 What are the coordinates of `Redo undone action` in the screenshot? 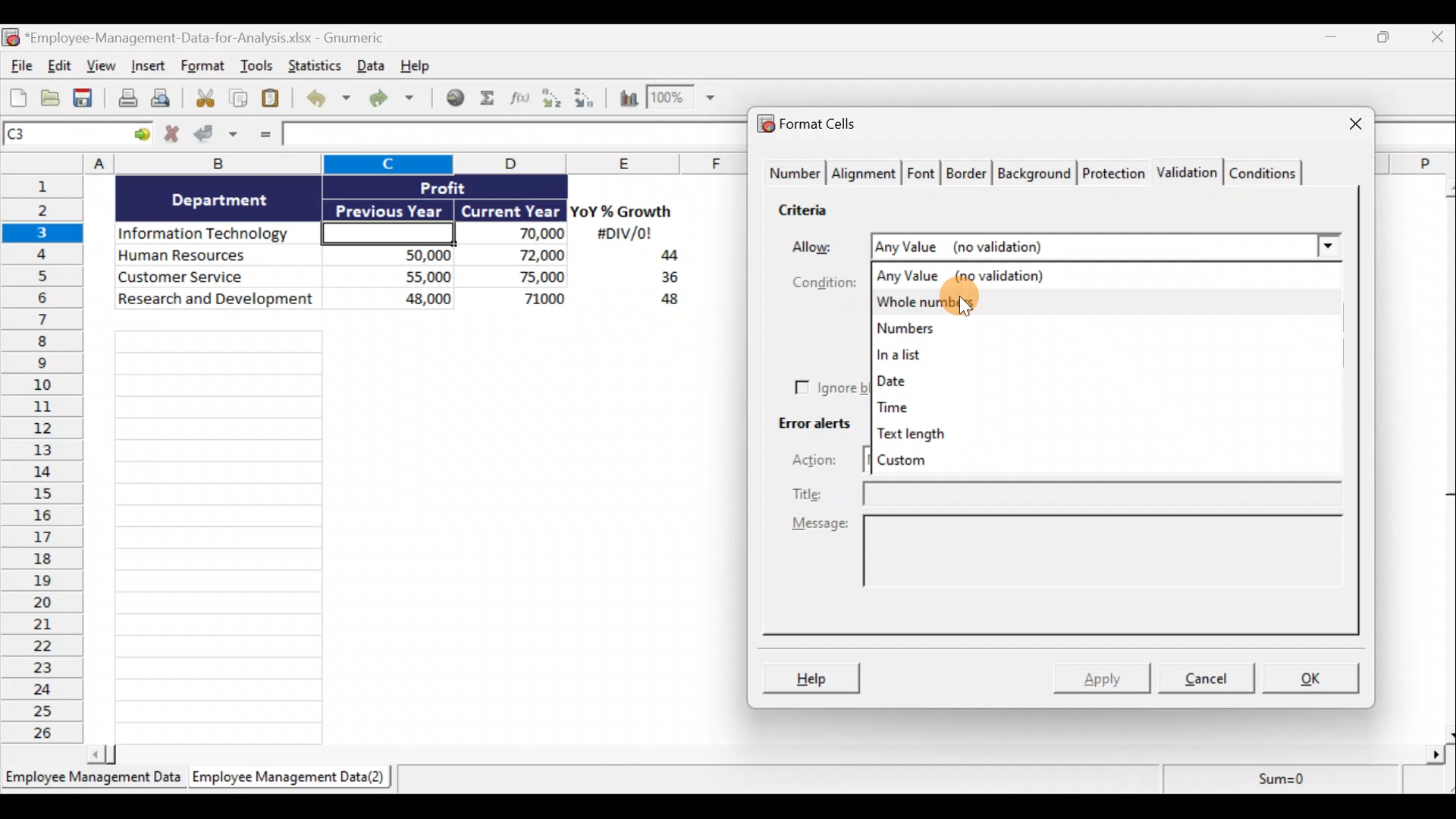 It's located at (398, 99).